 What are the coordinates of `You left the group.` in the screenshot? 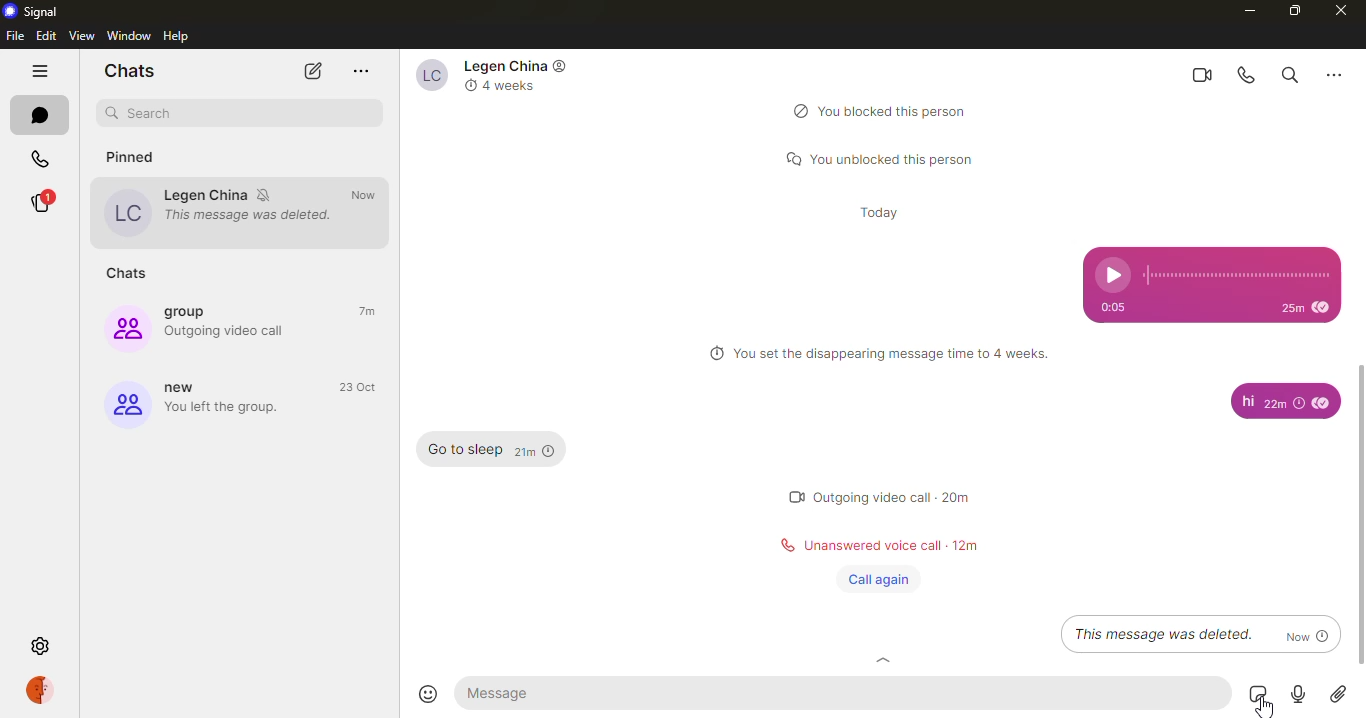 It's located at (234, 410).